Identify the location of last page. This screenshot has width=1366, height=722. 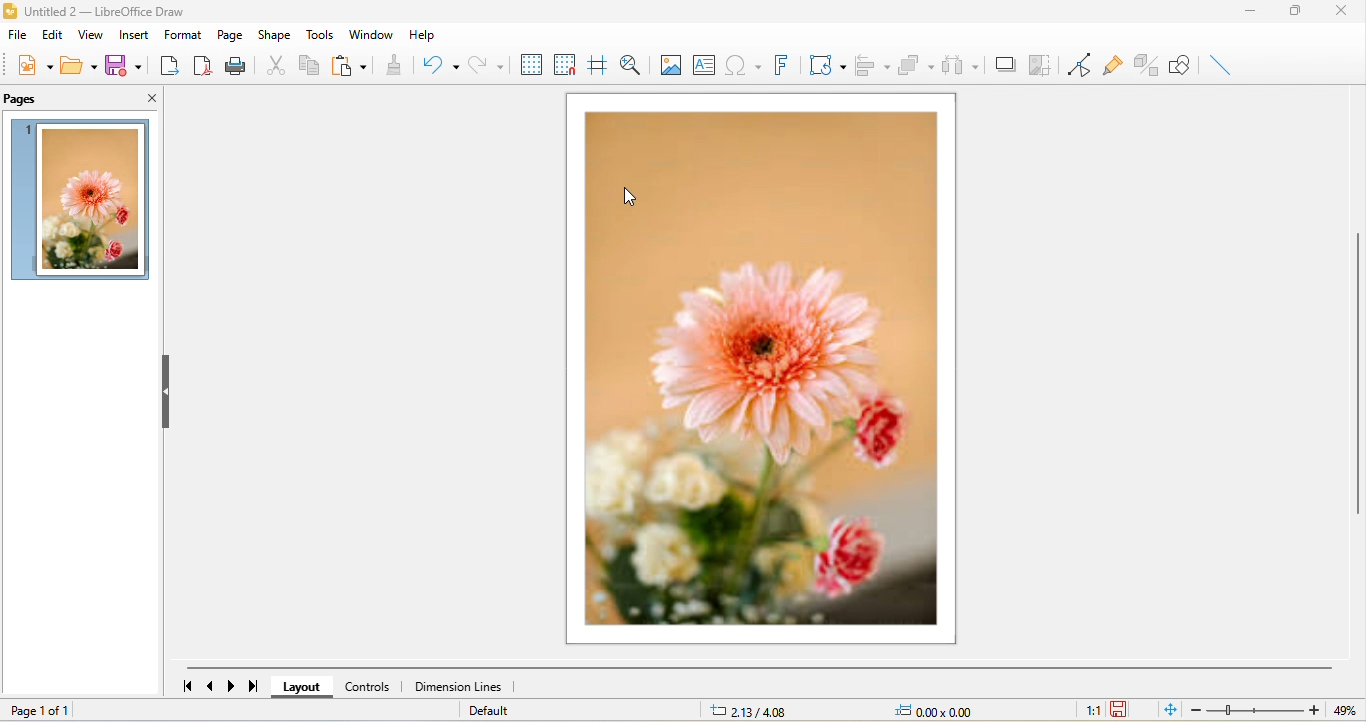
(249, 686).